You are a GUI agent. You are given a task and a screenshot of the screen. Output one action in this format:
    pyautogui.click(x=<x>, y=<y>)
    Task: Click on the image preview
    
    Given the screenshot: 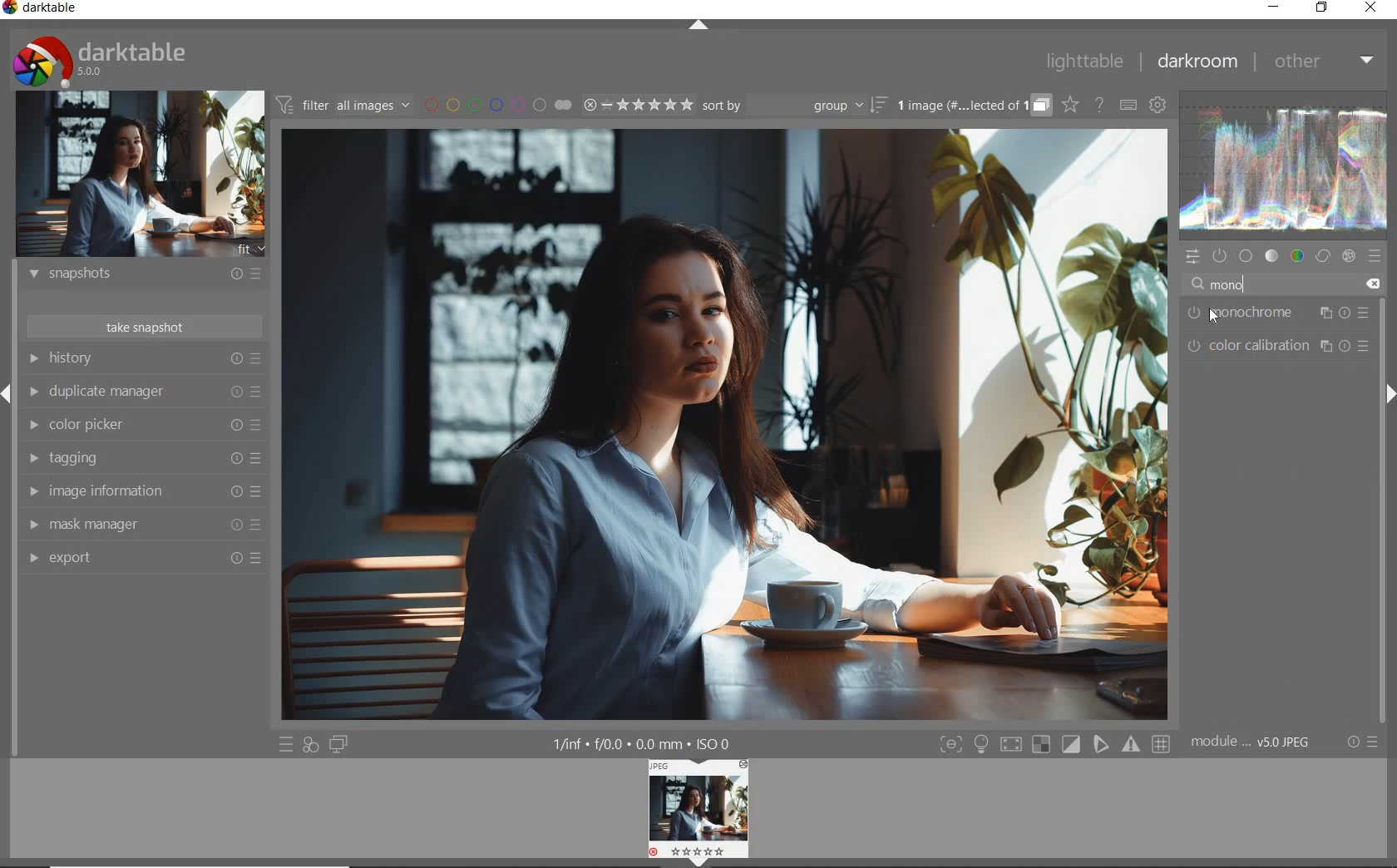 What is the action you would take?
    pyautogui.click(x=140, y=174)
    